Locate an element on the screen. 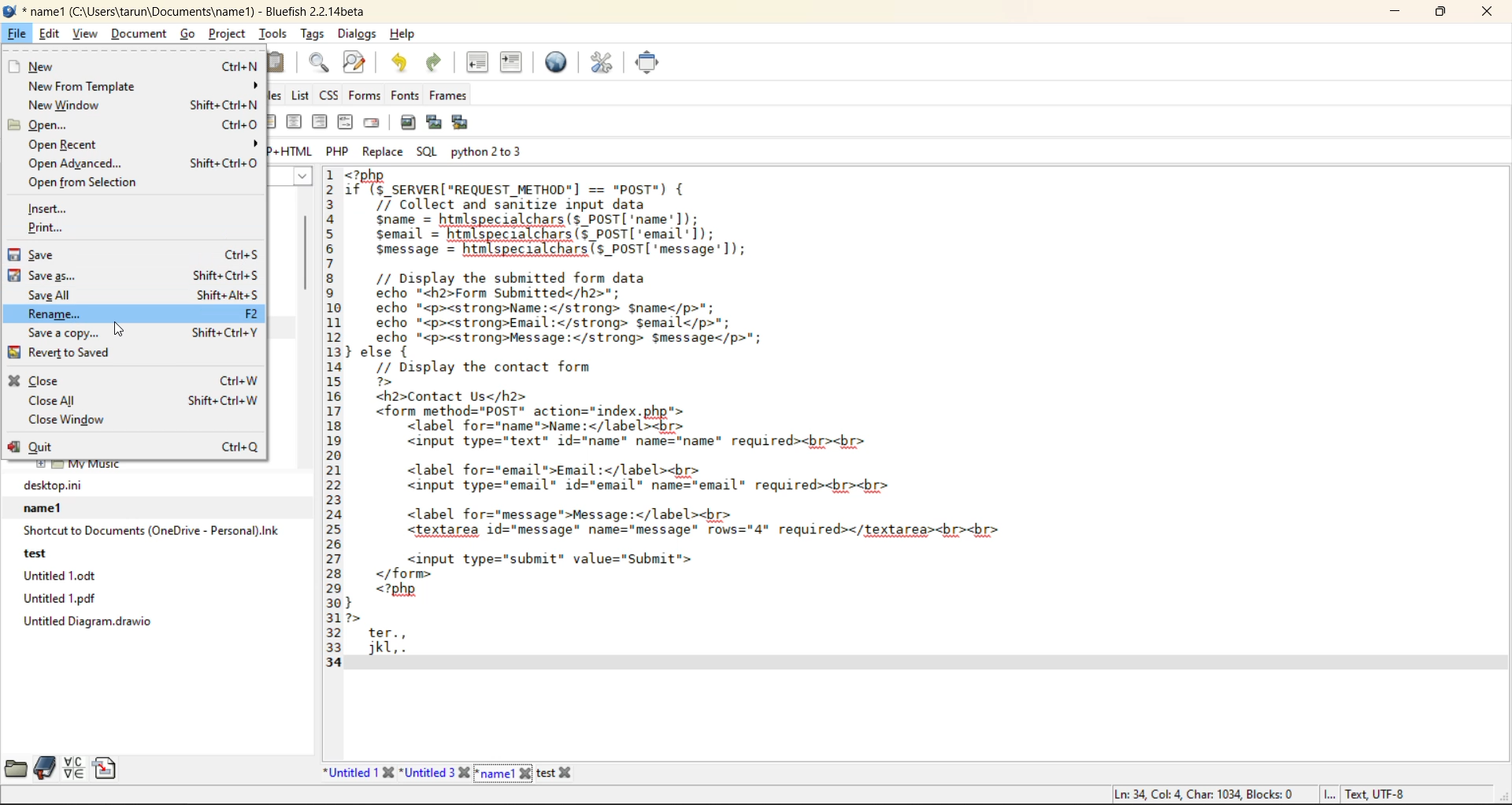  file name and app name is located at coordinates (195, 12).